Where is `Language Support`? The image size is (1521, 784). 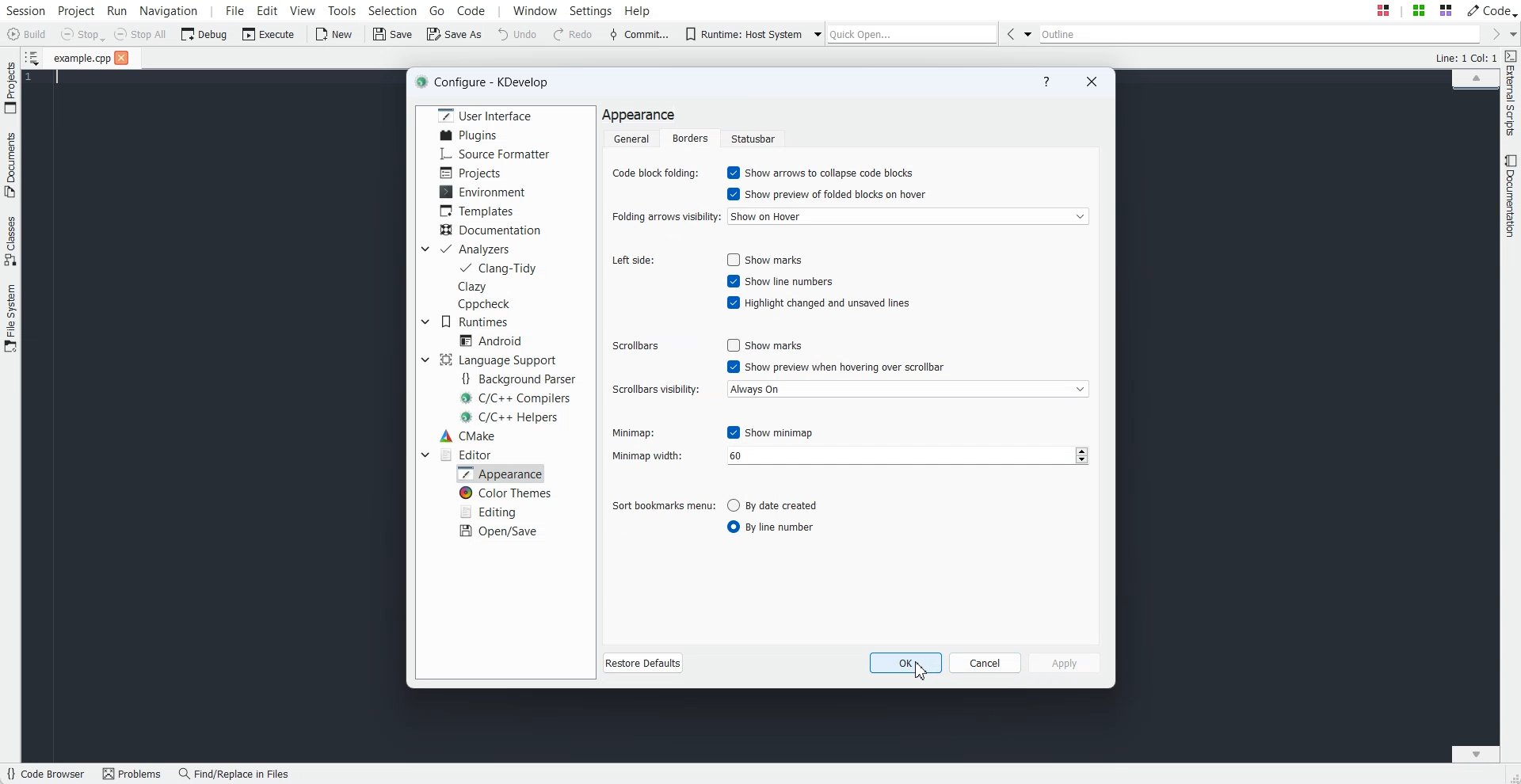 Language Support is located at coordinates (497, 359).